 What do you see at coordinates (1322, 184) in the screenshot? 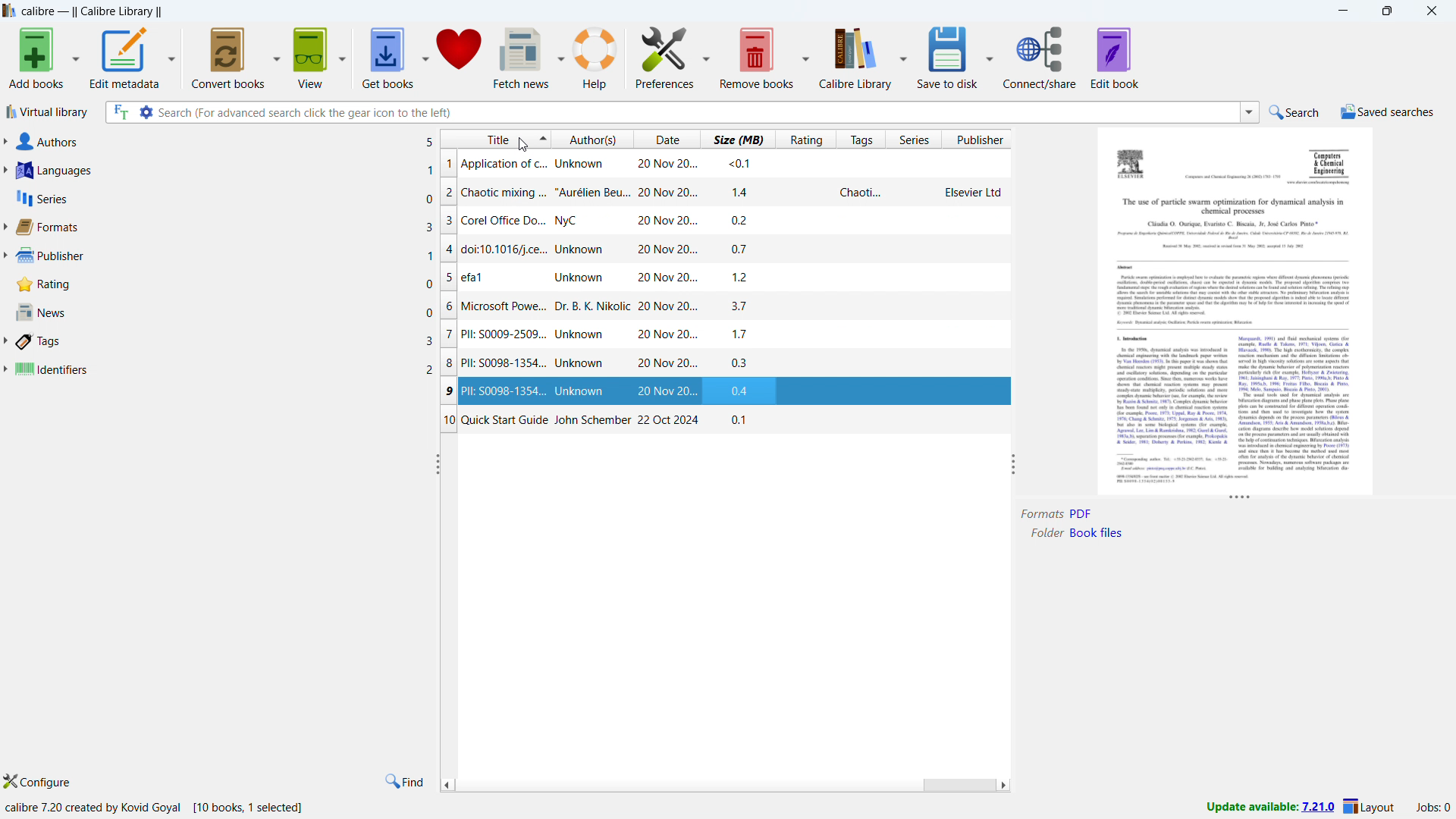
I see `` at bounding box center [1322, 184].